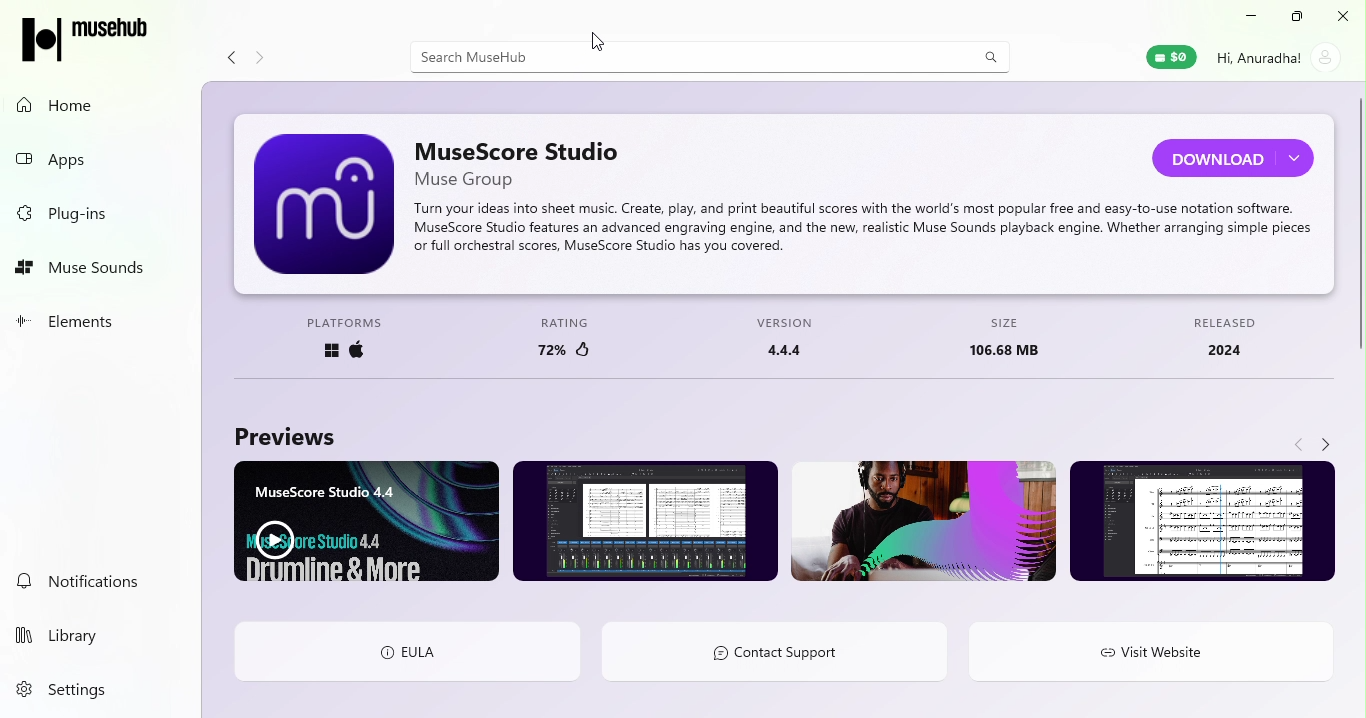 This screenshot has width=1366, height=718. What do you see at coordinates (1343, 14) in the screenshot?
I see `Close` at bounding box center [1343, 14].